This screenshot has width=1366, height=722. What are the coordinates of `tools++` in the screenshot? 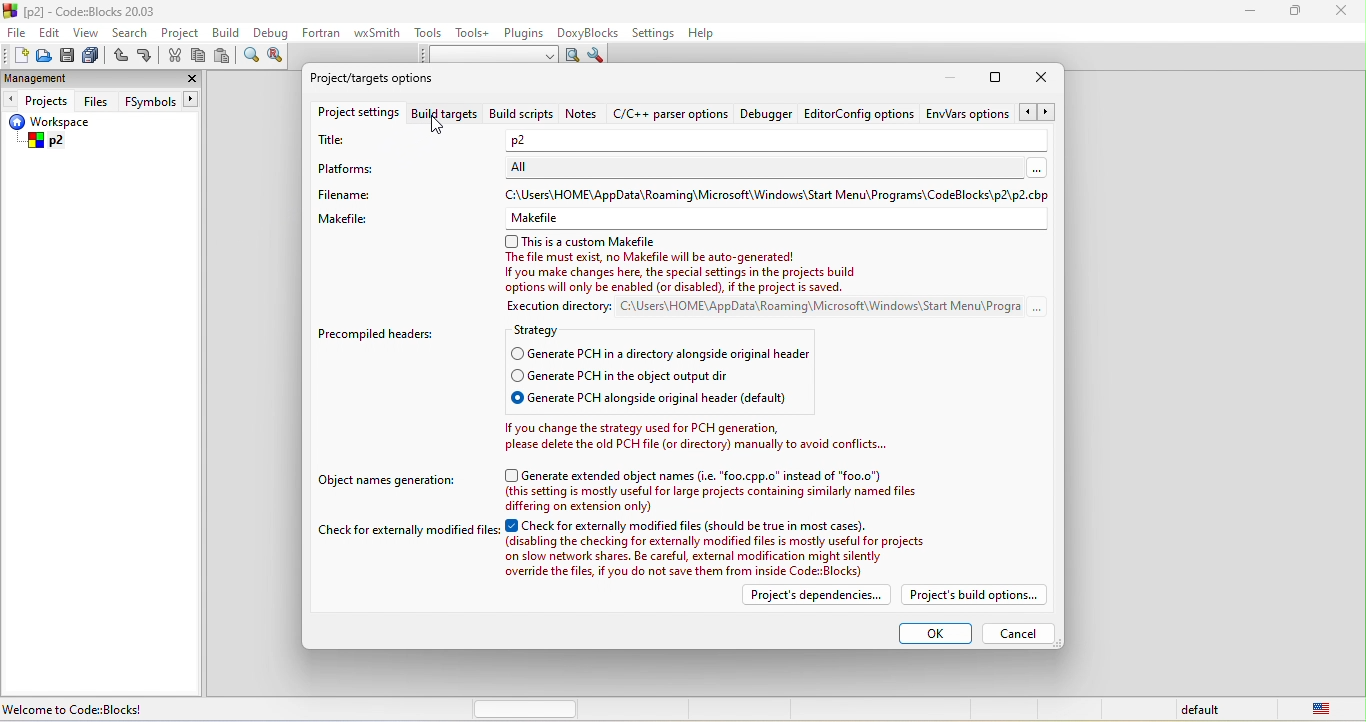 It's located at (476, 34).